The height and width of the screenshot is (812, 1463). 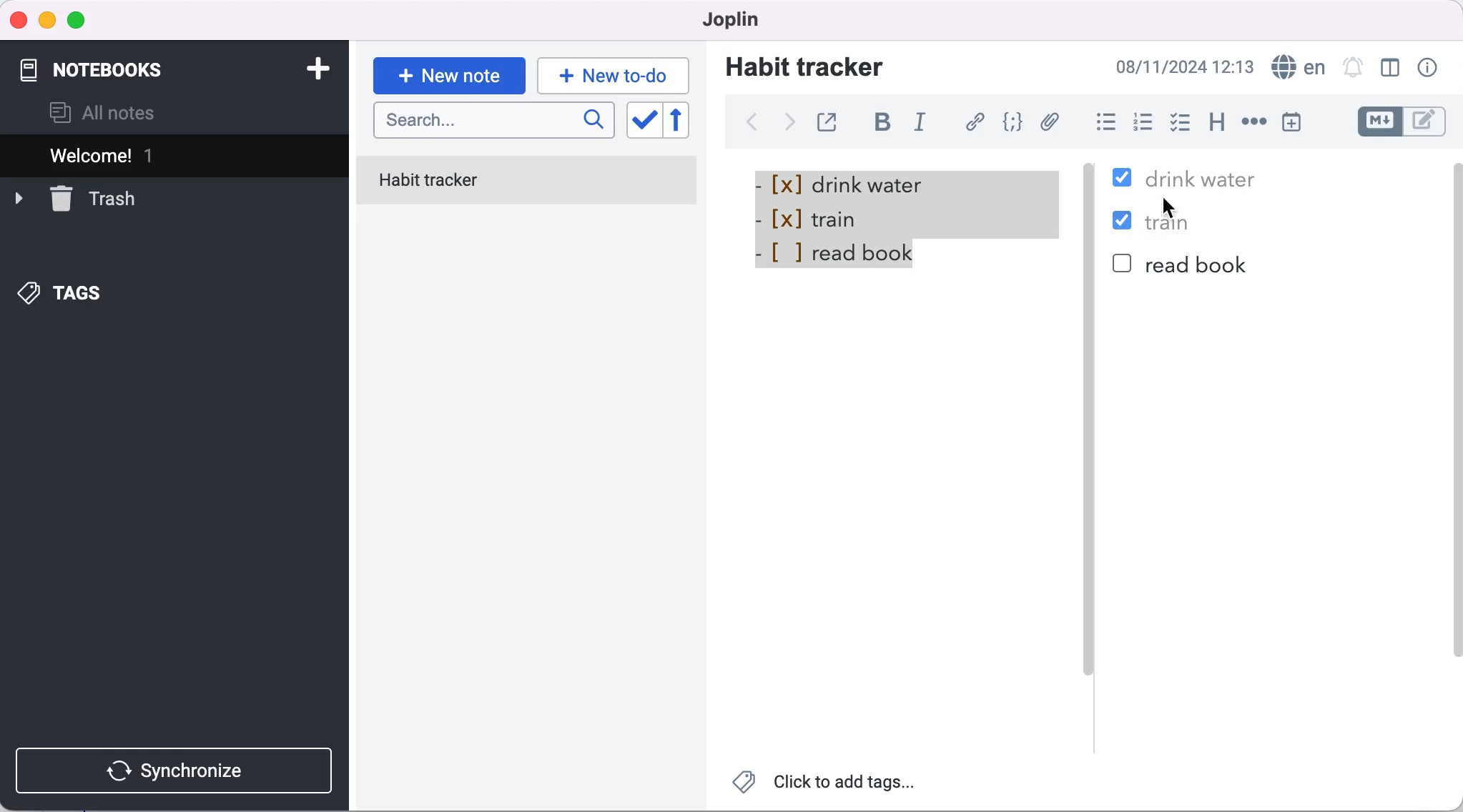 I want to click on maximize, so click(x=79, y=21).